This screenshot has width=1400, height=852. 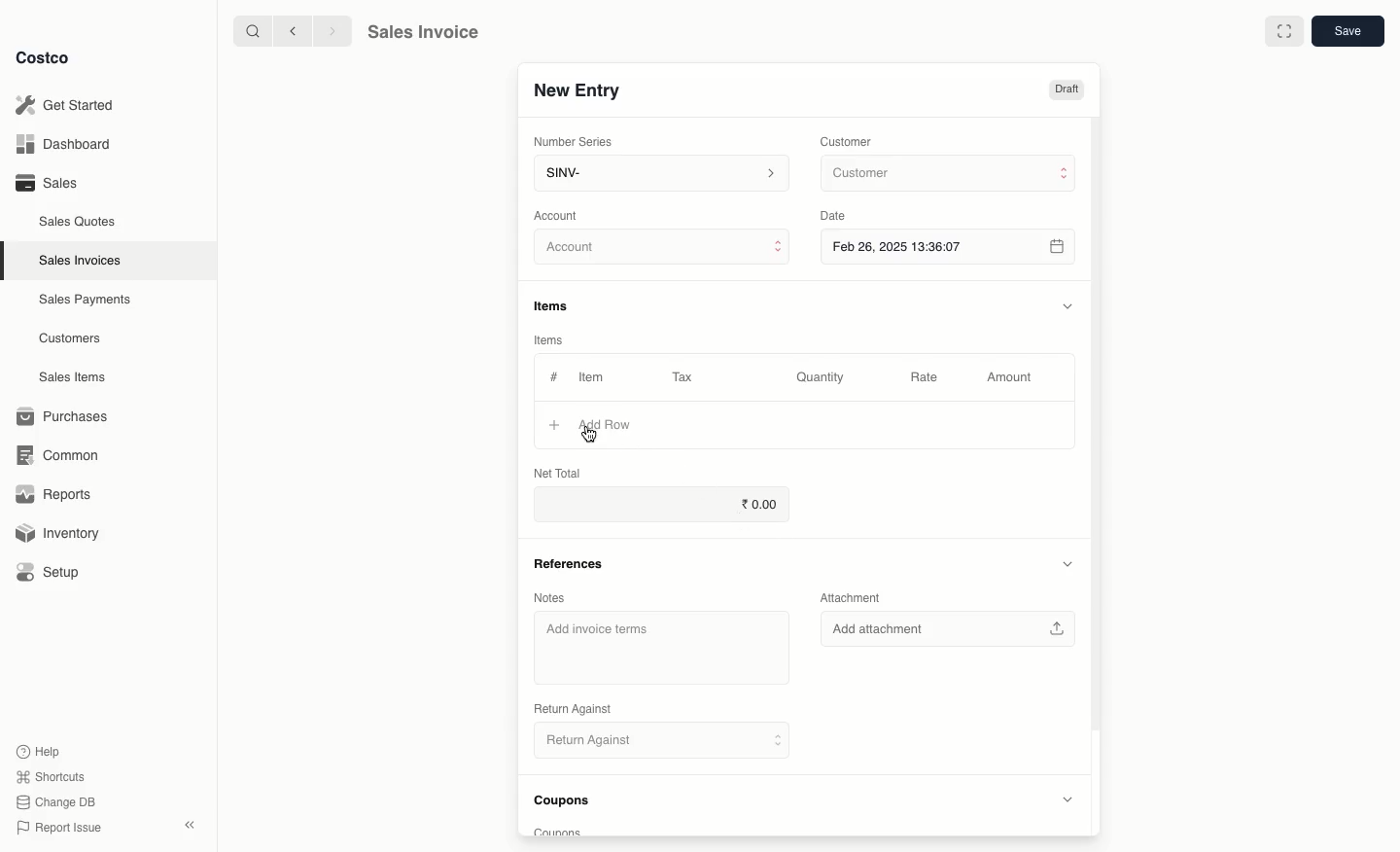 I want to click on Dashboard, so click(x=60, y=145).